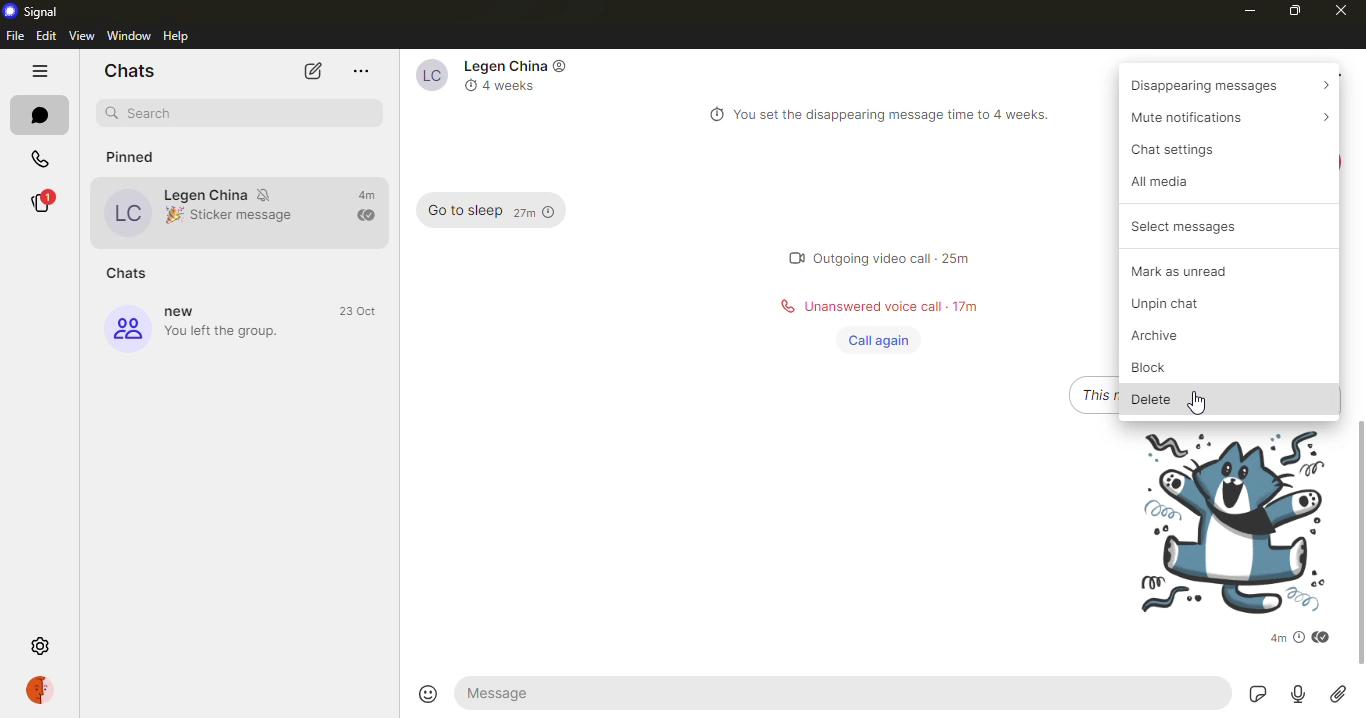 This screenshot has height=718, width=1366. Describe the element at coordinates (1196, 400) in the screenshot. I see `cursor` at that location.